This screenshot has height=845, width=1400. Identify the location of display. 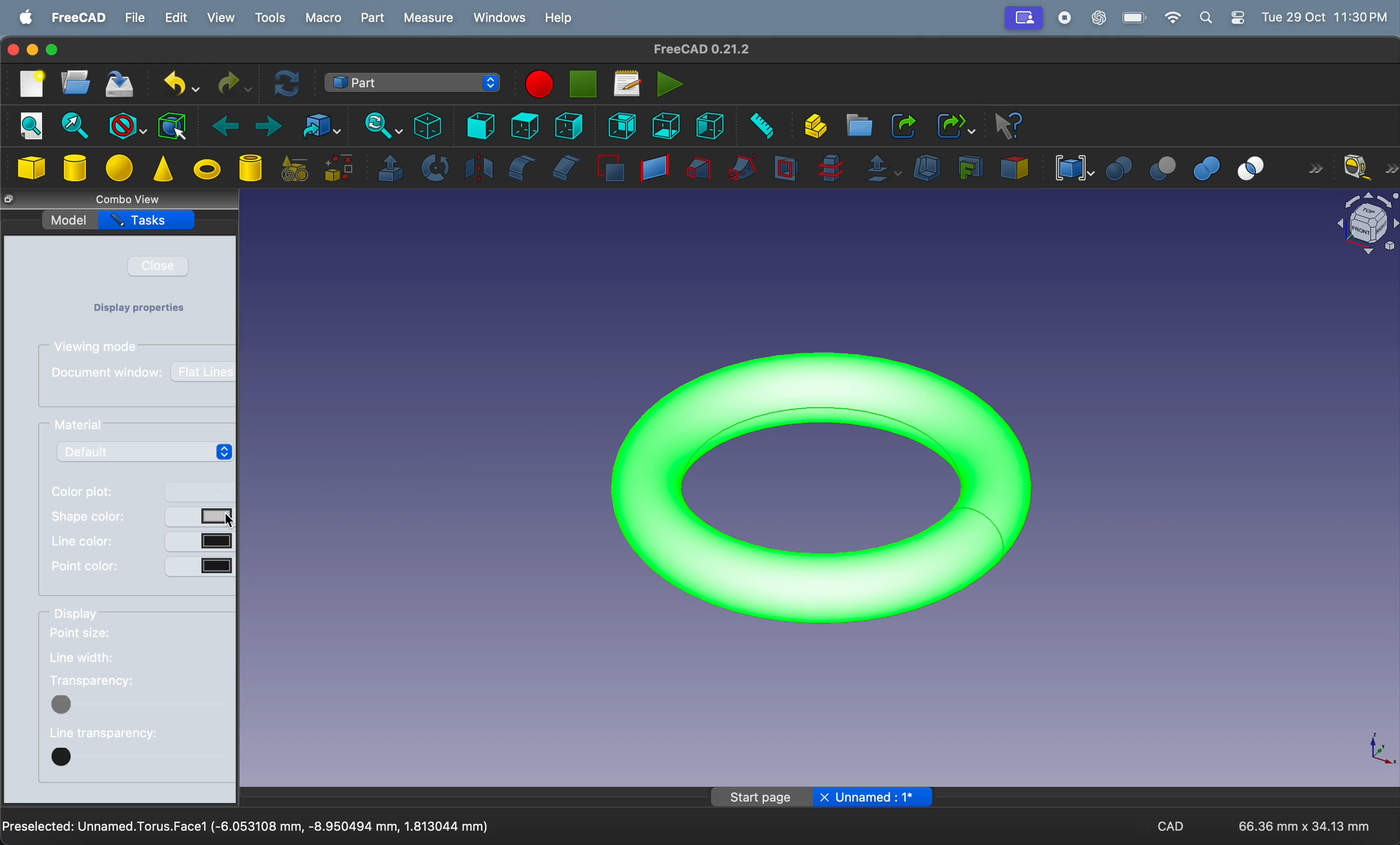
(103, 615).